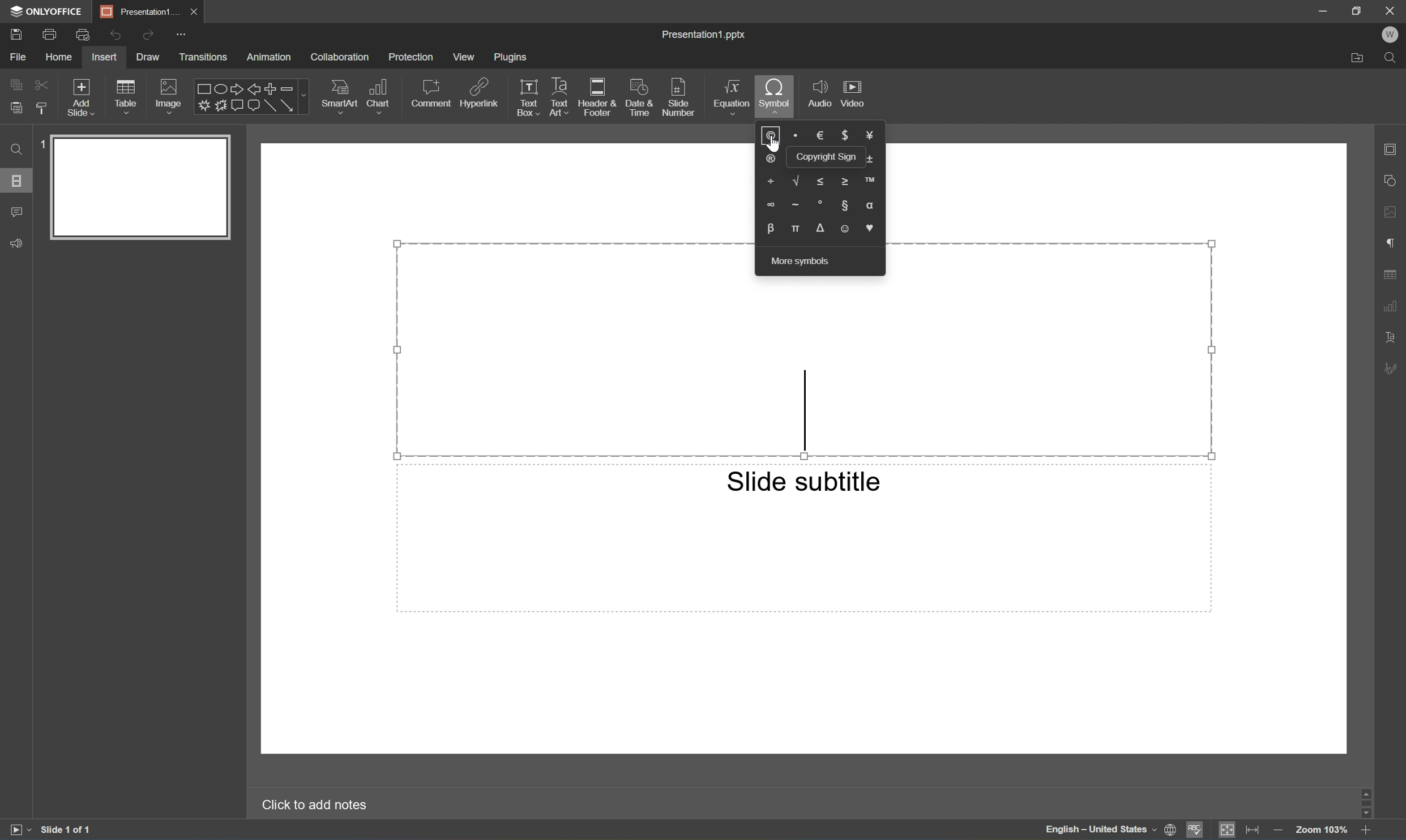 The height and width of the screenshot is (840, 1406). What do you see at coordinates (409, 56) in the screenshot?
I see `Protection` at bounding box center [409, 56].